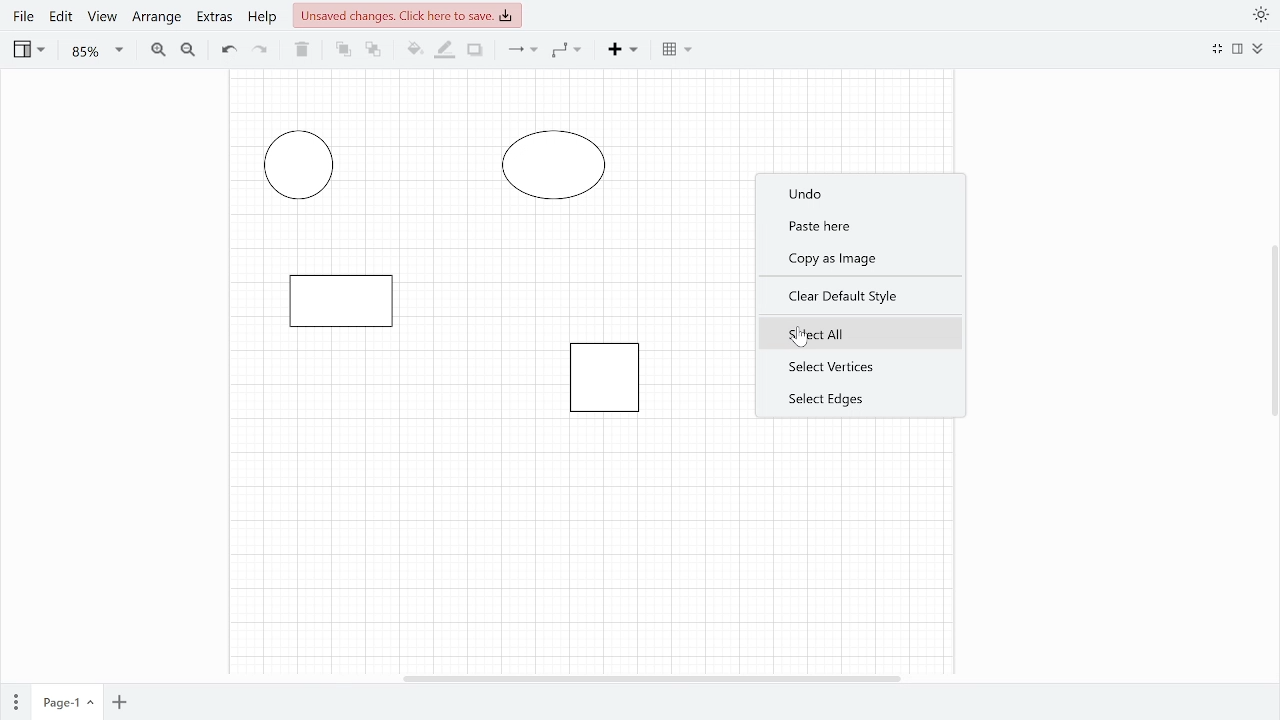 This screenshot has width=1280, height=720. I want to click on Waypoints, so click(566, 50).